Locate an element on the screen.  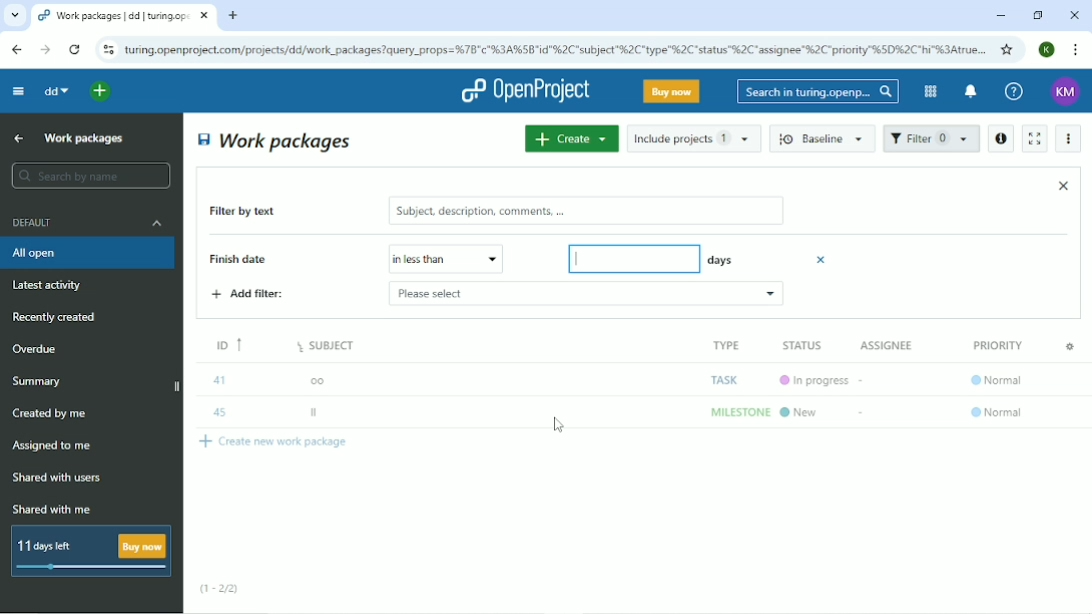
Account is located at coordinates (1048, 49).